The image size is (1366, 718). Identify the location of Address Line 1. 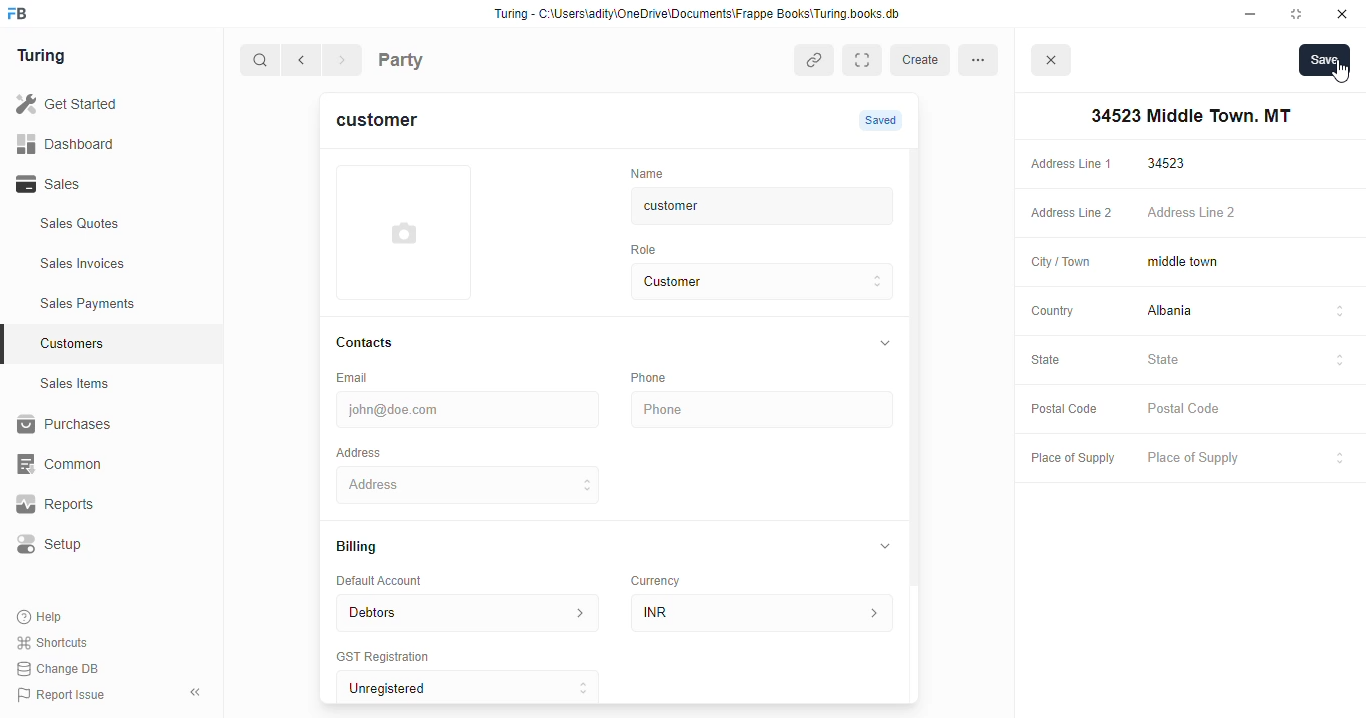
(1070, 162).